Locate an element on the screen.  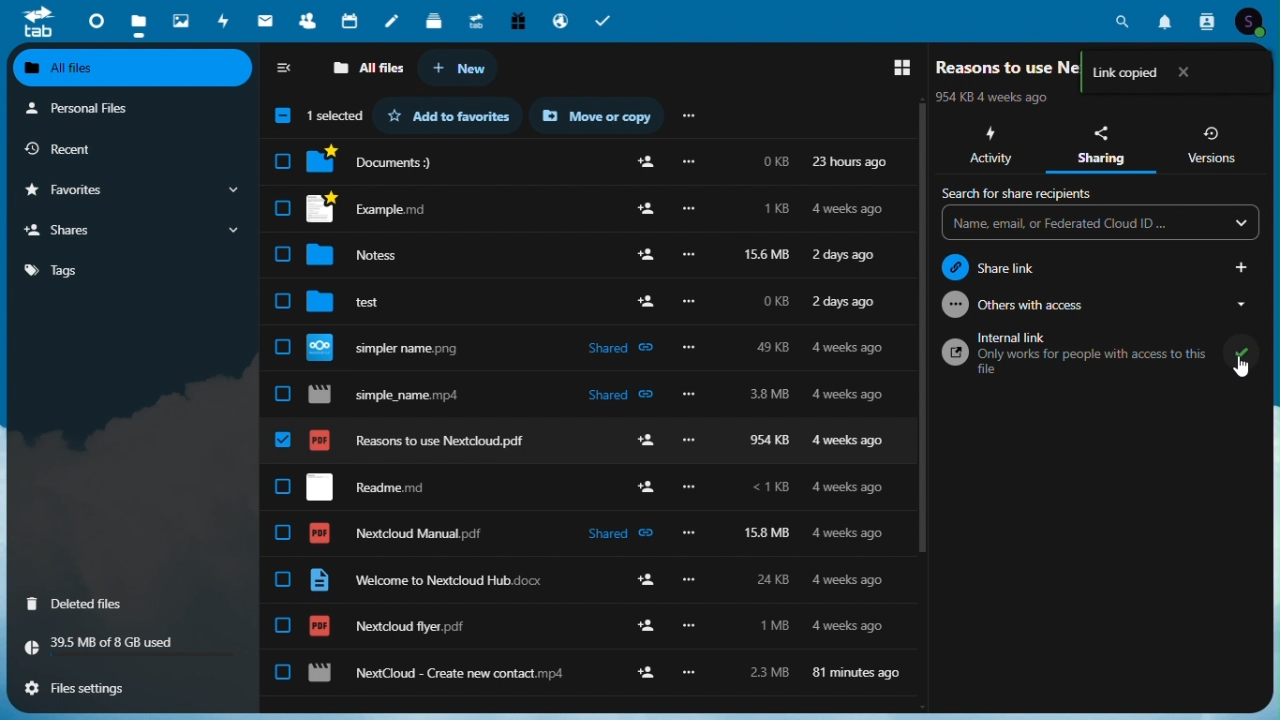
 add user is located at coordinates (647, 165).